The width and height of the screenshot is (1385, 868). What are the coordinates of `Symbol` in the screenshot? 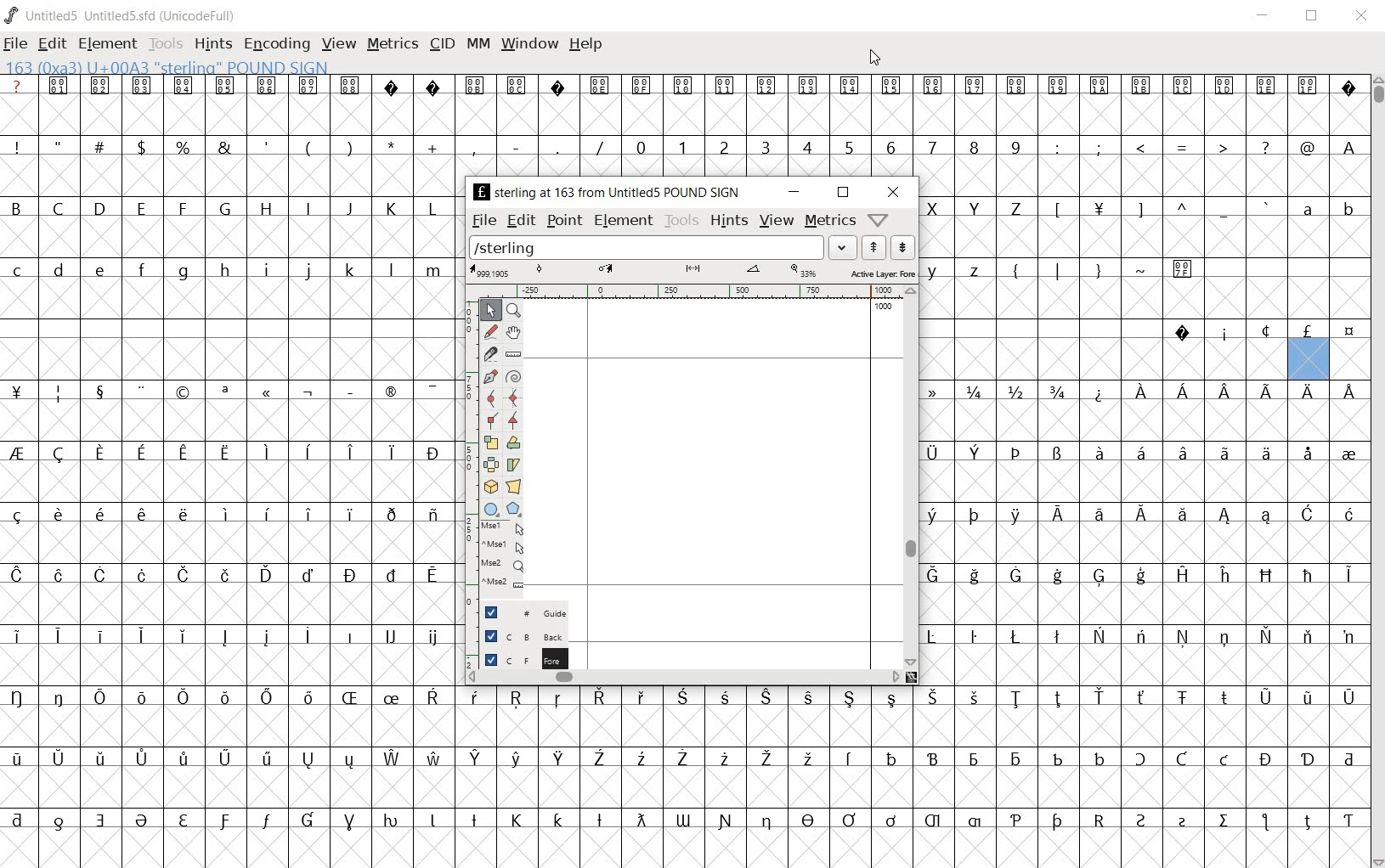 It's located at (1057, 576).